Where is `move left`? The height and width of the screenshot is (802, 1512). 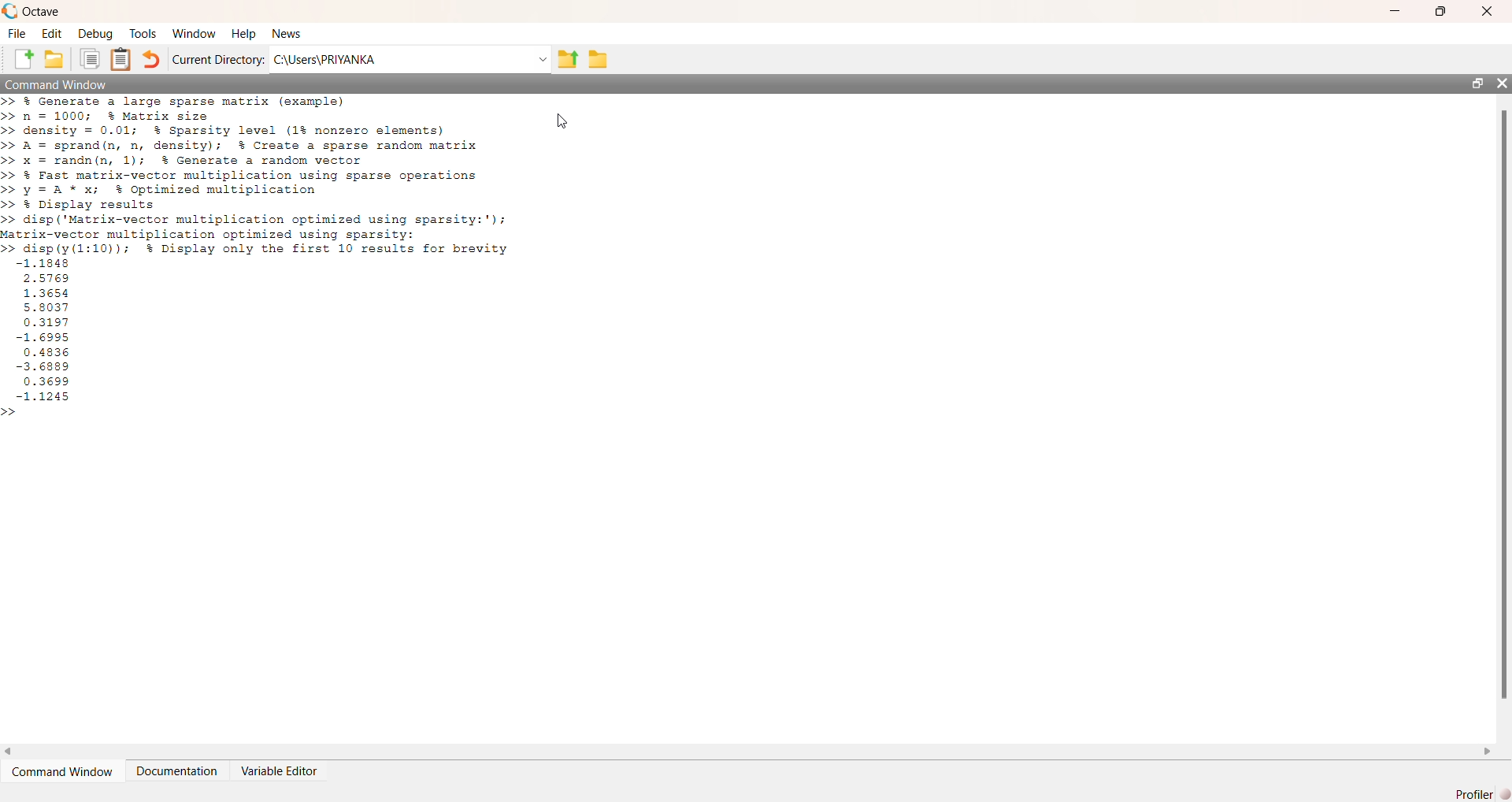
move left is located at coordinates (9, 748).